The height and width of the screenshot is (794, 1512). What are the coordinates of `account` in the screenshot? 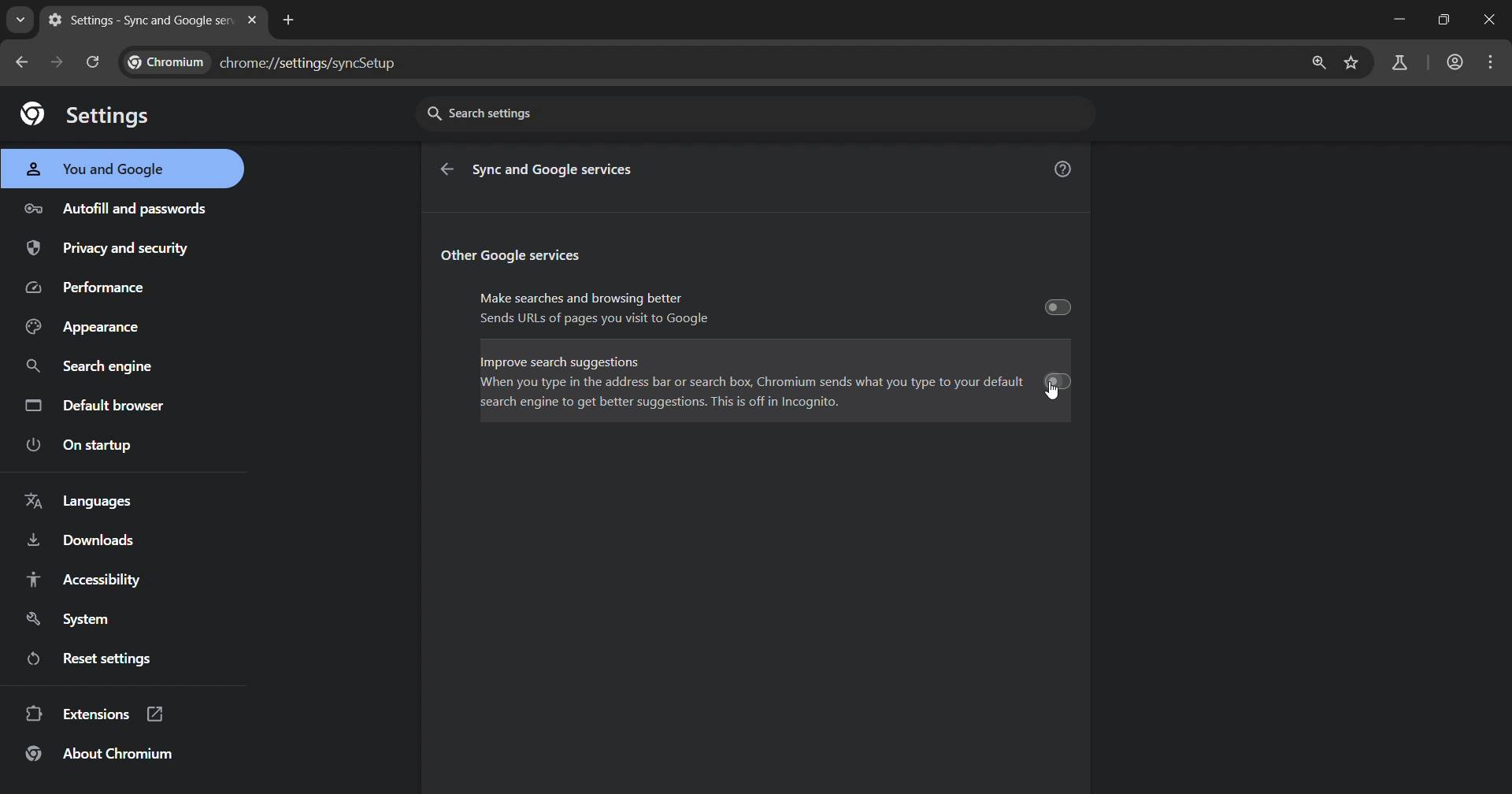 It's located at (1454, 63).